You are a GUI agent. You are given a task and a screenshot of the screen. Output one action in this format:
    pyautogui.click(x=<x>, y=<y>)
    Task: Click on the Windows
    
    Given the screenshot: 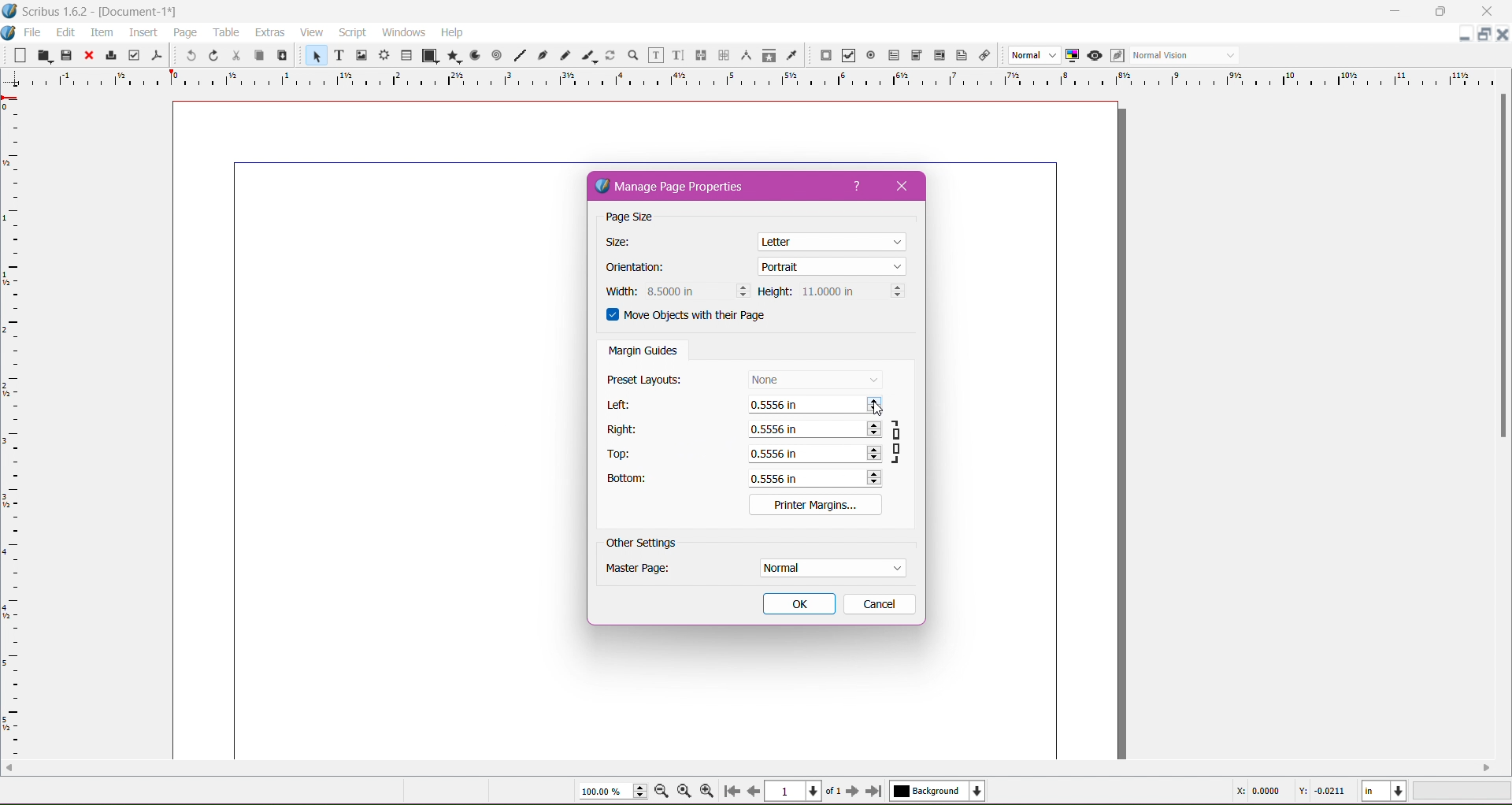 What is the action you would take?
    pyautogui.click(x=403, y=32)
    